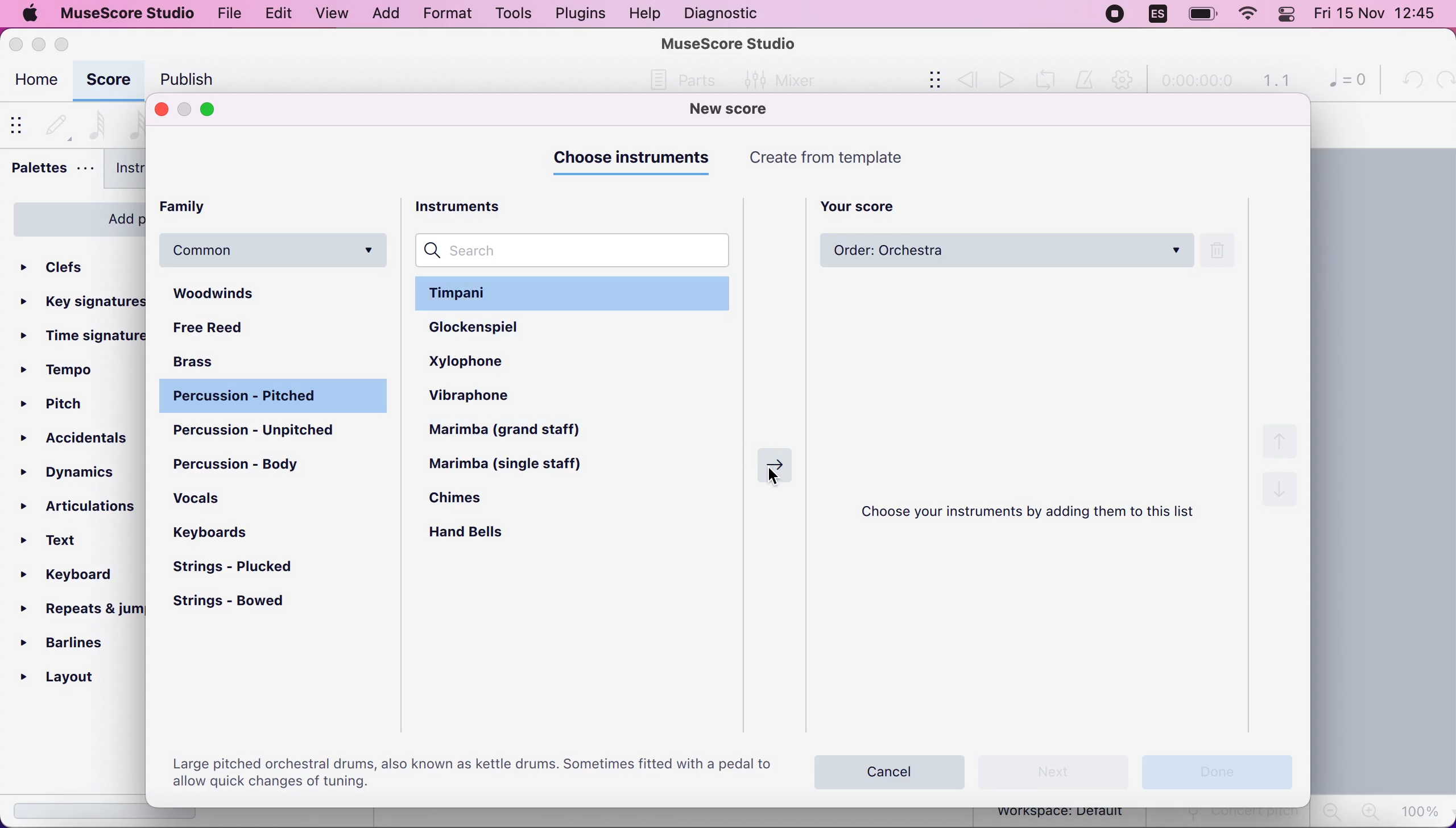 Image resolution: width=1456 pixels, height=828 pixels. What do you see at coordinates (276, 250) in the screenshot?
I see `common` at bounding box center [276, 250].